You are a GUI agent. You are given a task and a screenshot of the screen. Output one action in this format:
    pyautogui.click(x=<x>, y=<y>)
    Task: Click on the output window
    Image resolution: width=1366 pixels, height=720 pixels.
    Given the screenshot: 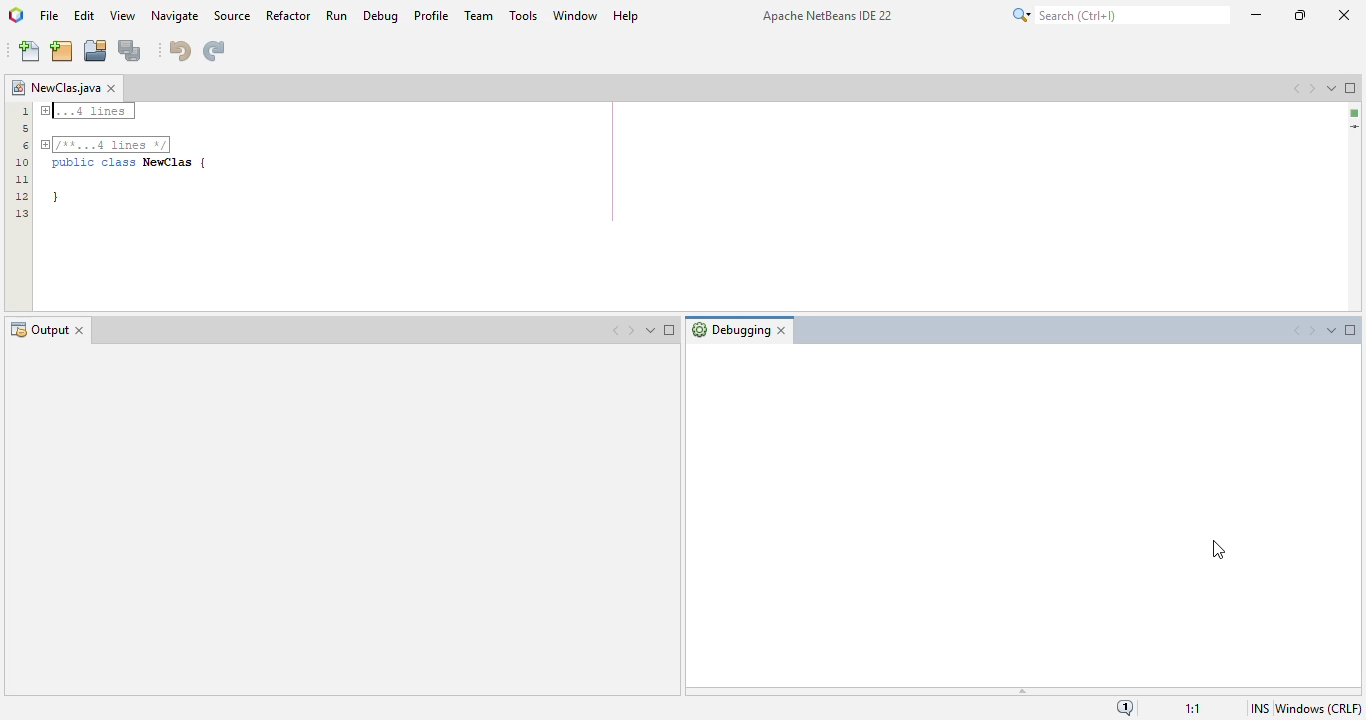 What is the action you would take?
    pyautogui.click(x=342, y=521)
    